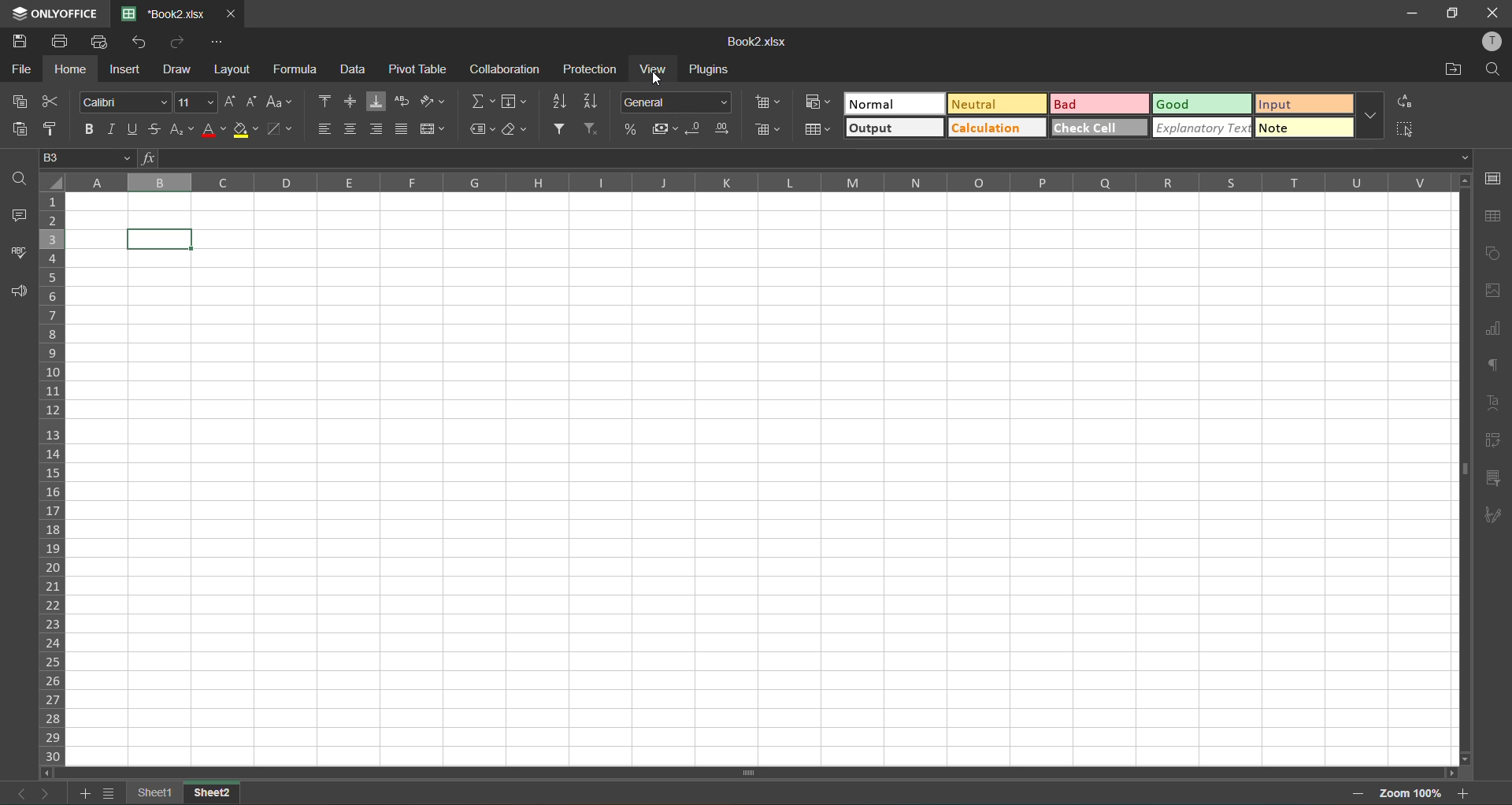  I want to click on slicer, so click(1492, 480).